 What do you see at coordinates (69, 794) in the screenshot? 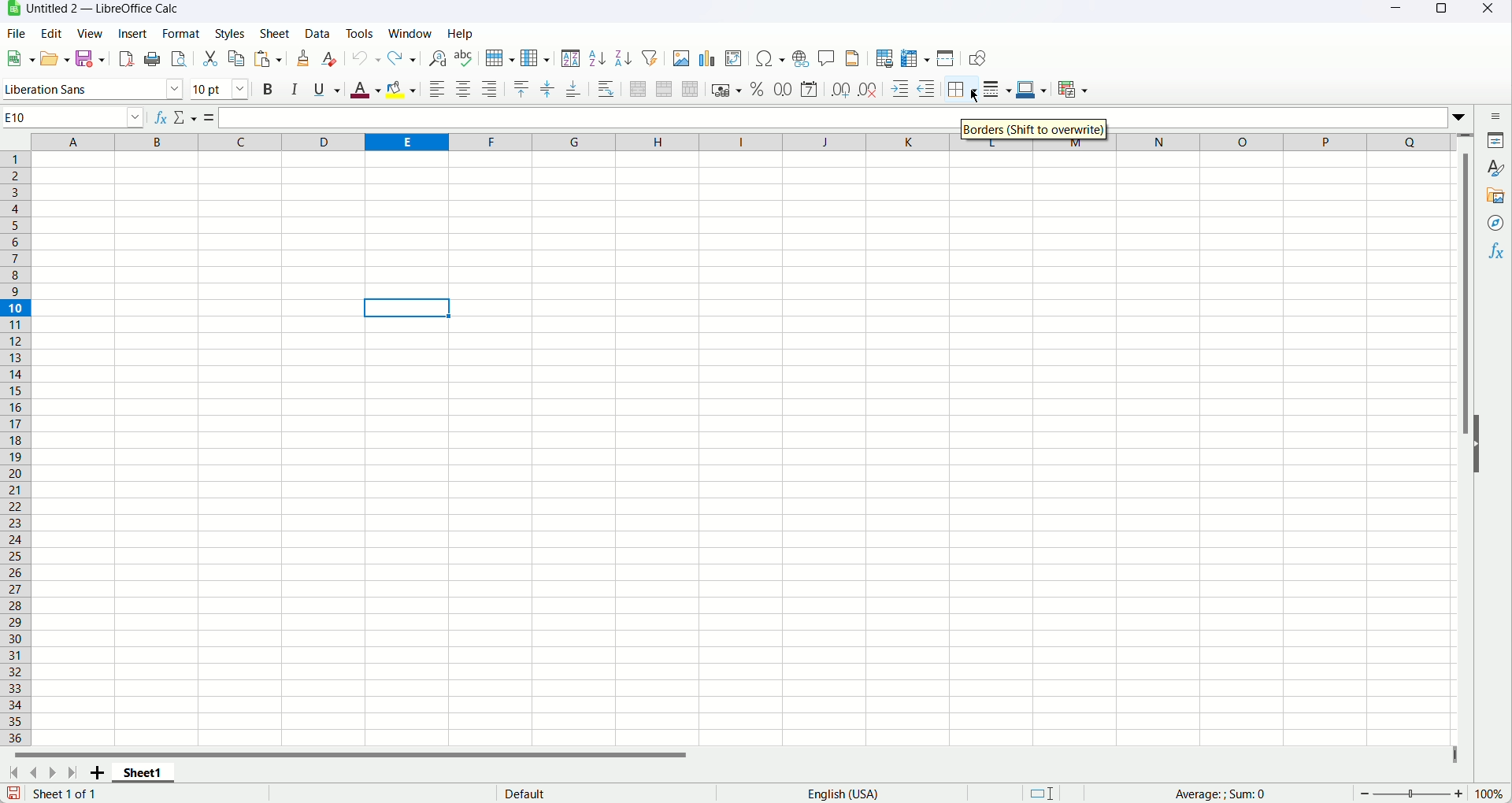
I see `Sheet 1 of 1` at bounding box center [69, 794].